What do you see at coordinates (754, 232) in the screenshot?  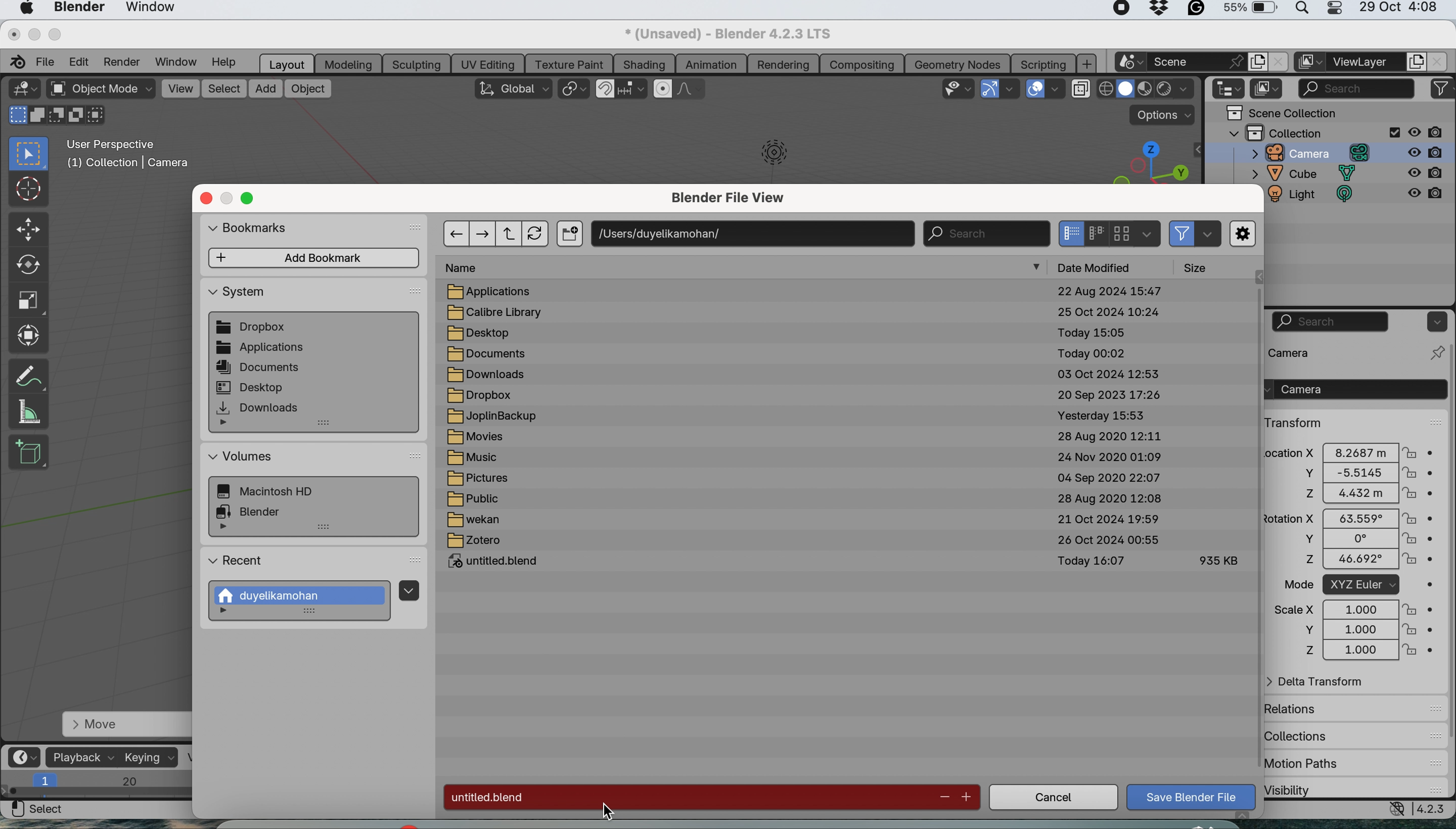 I see `/Users/duyelikamohan/` at bounding box center [754, 232].